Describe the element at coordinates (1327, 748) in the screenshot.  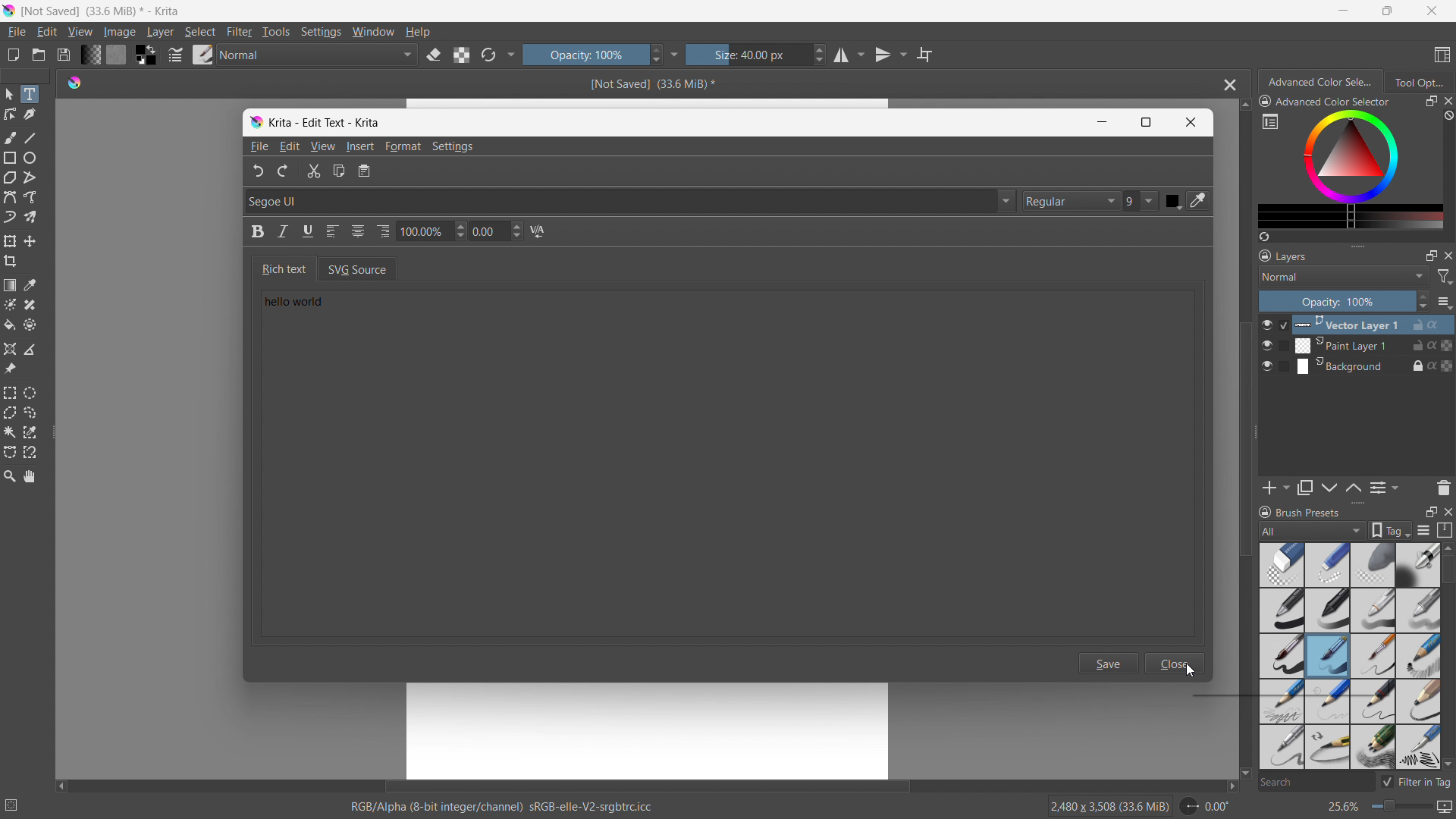
I see `small tip pencil` at that location.